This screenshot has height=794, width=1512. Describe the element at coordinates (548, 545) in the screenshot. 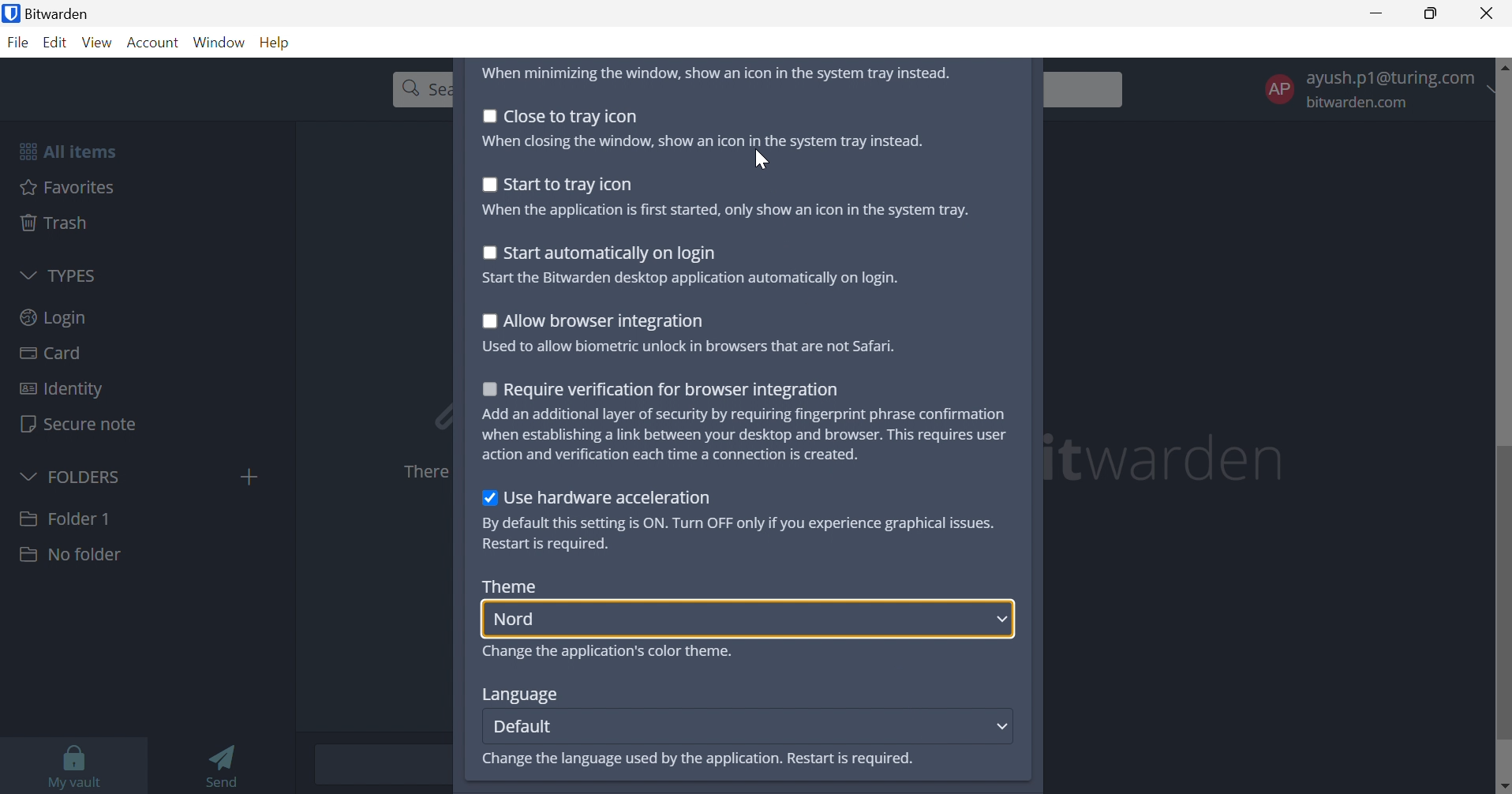

I see `Restart is required.` at that location.